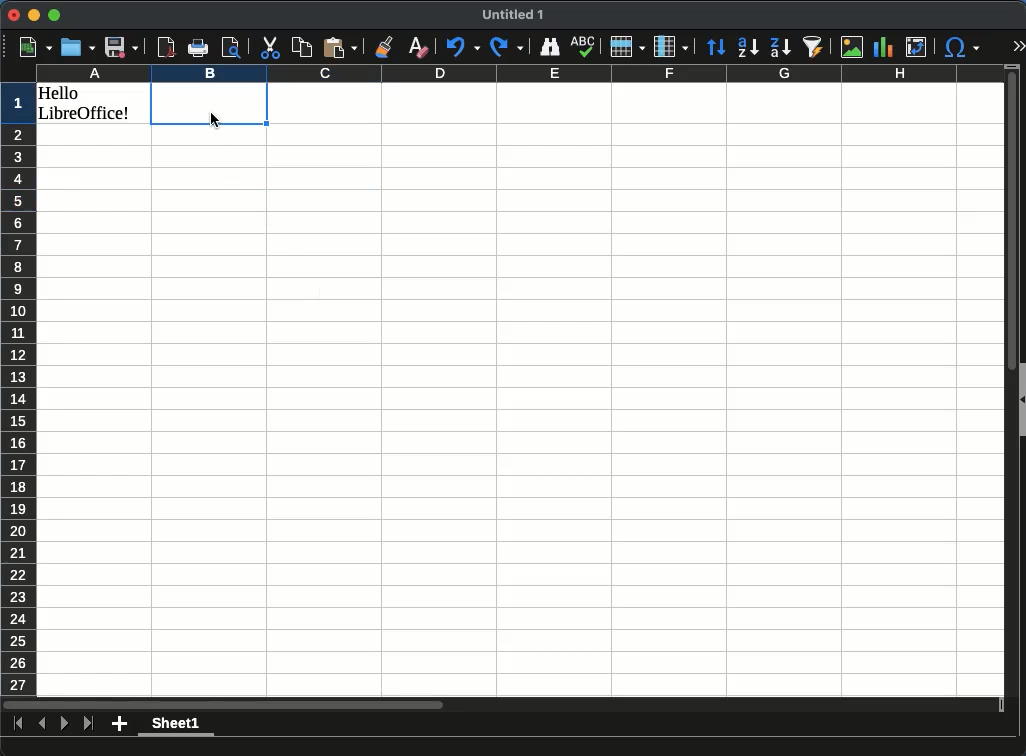 This screenshot has height=756, width=1026. Describe the element at coordinates (810, 44) in the screenshot. I see `autofilter` at that location.